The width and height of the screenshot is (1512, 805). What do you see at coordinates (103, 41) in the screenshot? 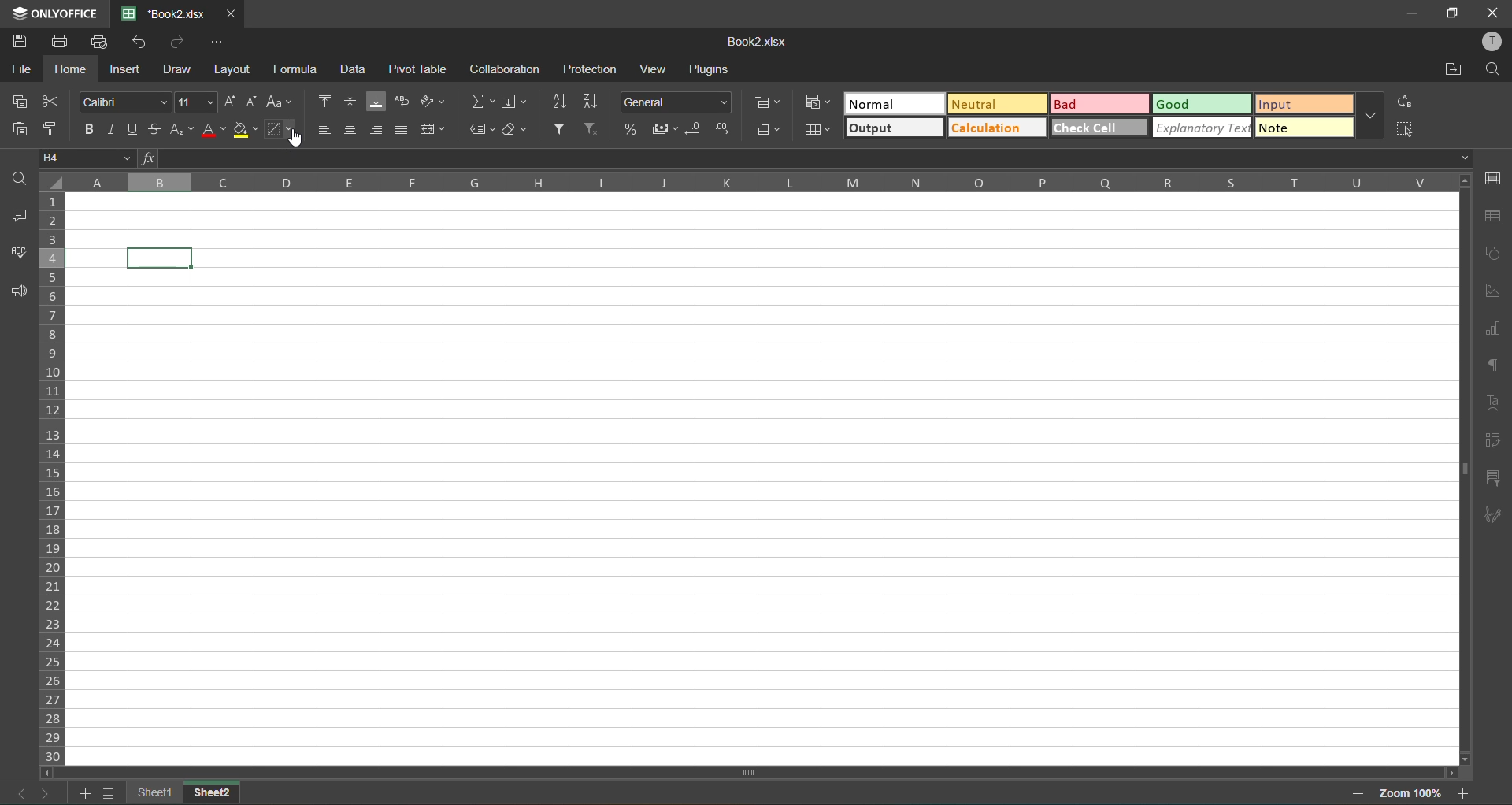
I see `quick print` at bounding box center [103, 41].